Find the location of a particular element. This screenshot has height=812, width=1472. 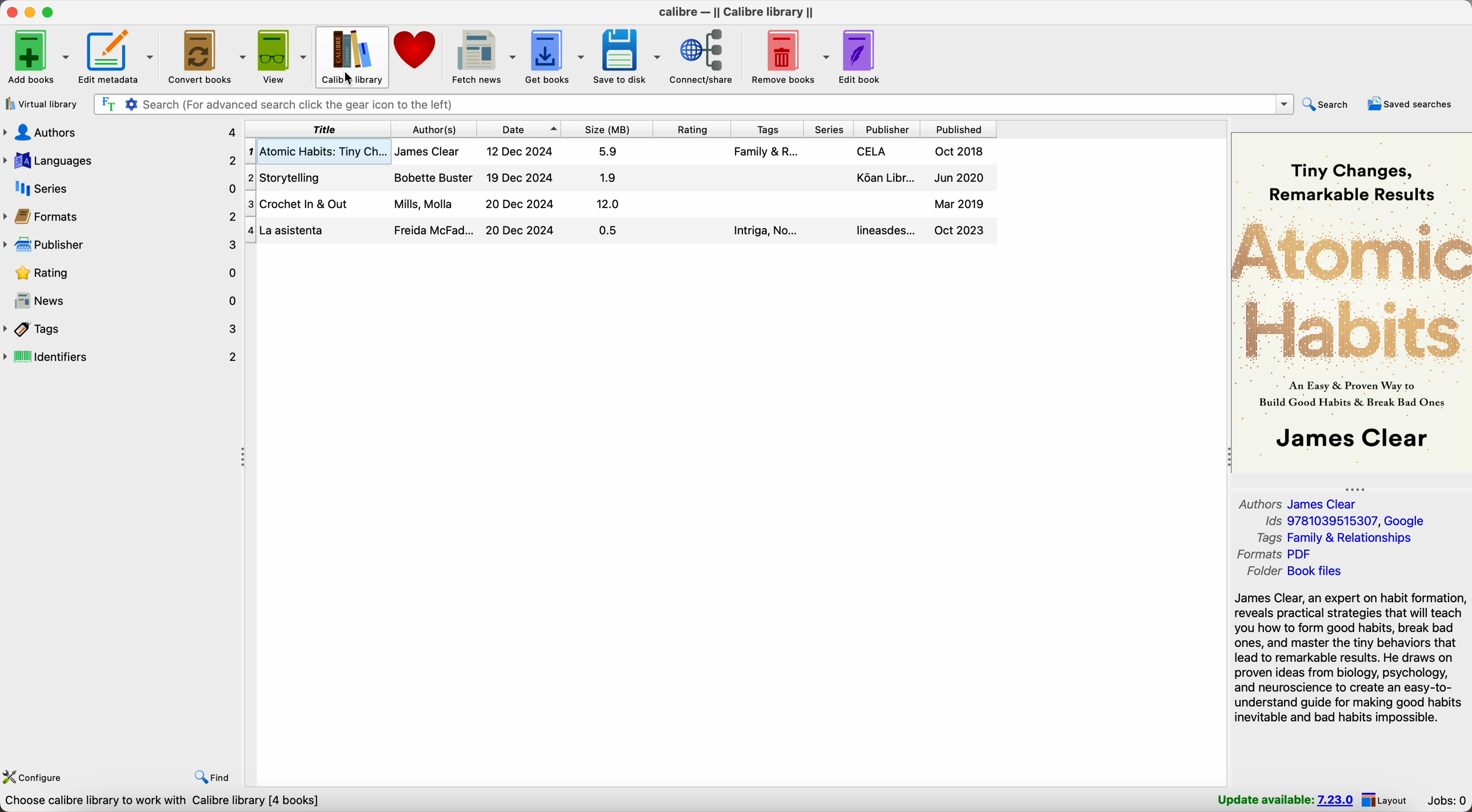

update available: 7.23.0 is located at coordinates (1283, 799).